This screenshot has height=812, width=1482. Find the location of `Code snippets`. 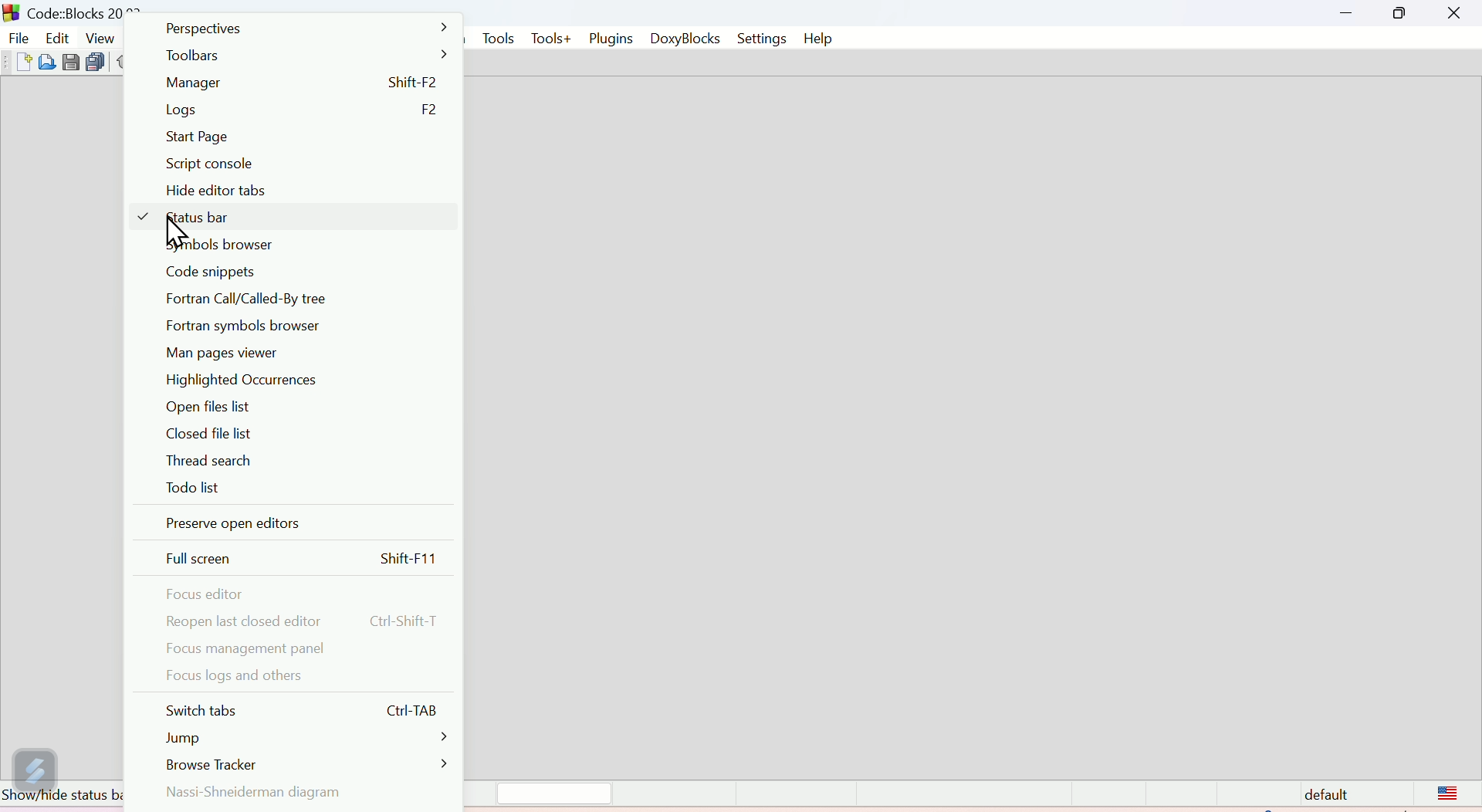

Code snippets is located at coordinates (218, 274).